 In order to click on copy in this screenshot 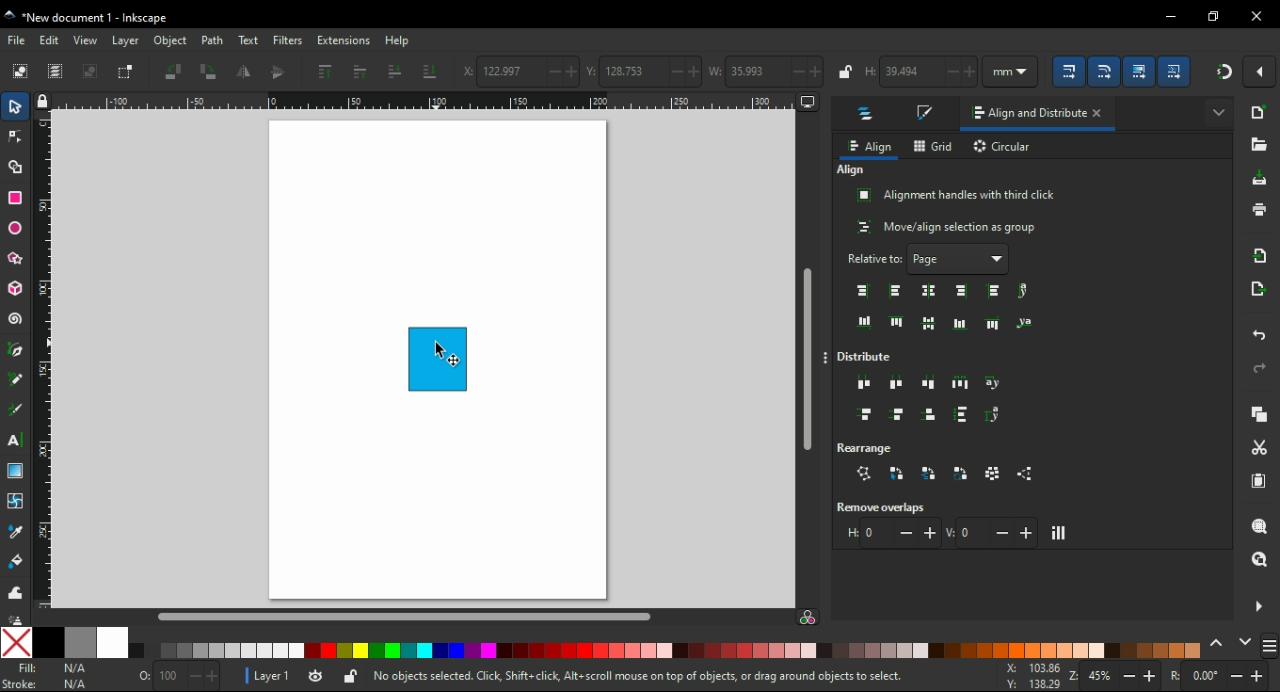, I will do `click(1258, 416)`.